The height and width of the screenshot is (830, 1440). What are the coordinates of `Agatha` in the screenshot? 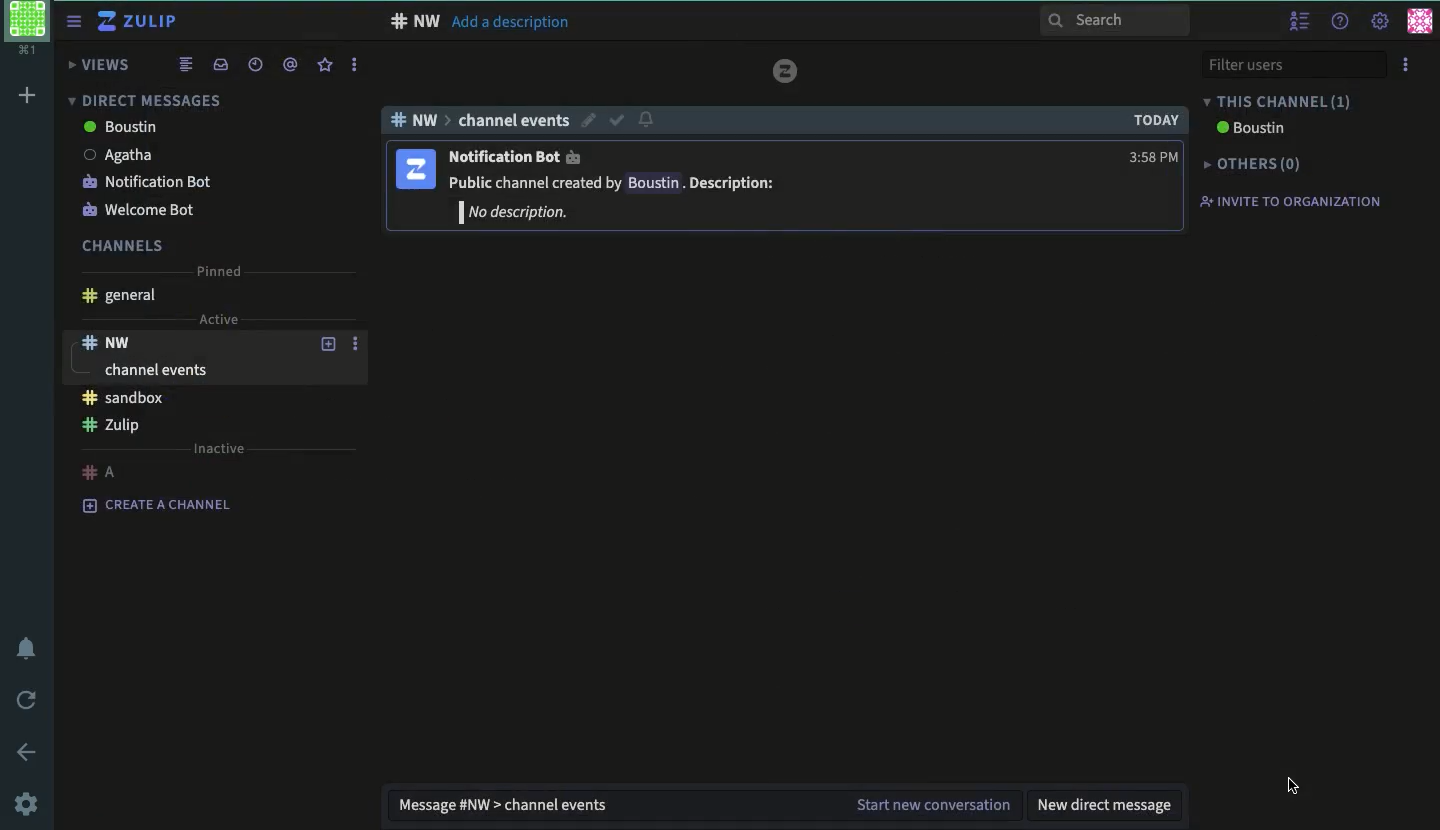 It's located at (124, 155).